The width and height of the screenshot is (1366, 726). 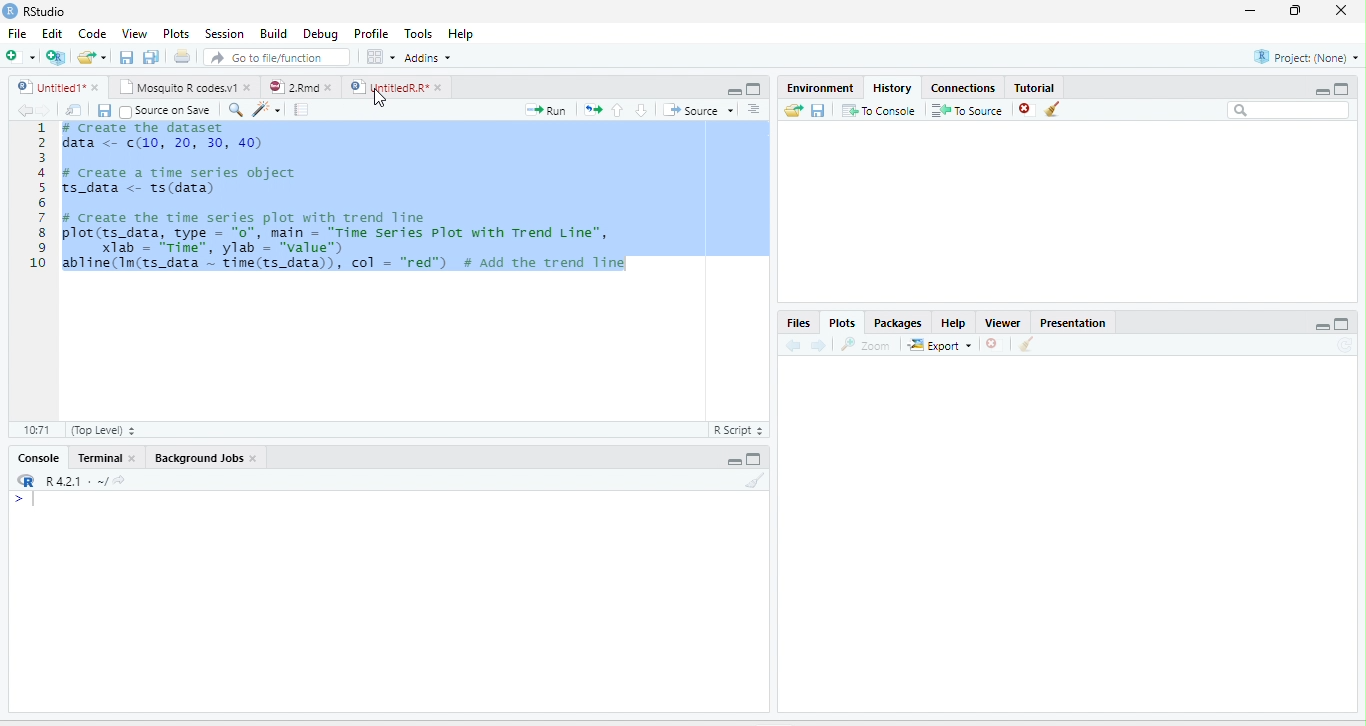 What do you see at coordinates (867, 344) in the screenshot?
I see `Zoom` at bounding box center [867, 344].